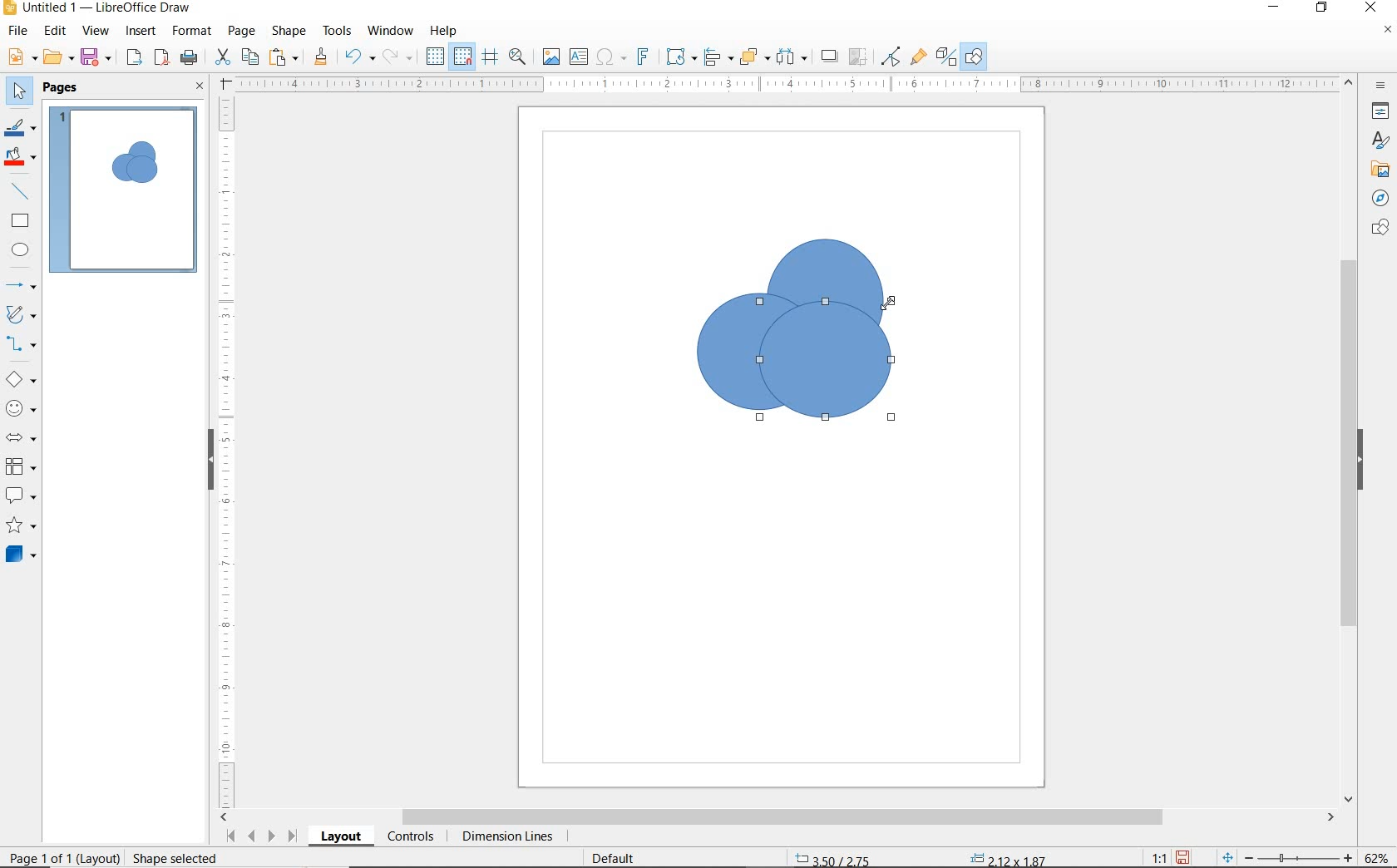 The image size is (1397, 868). I want to click on SHOW GLUEPOINT FUNCTIONS, so click(918, 57).